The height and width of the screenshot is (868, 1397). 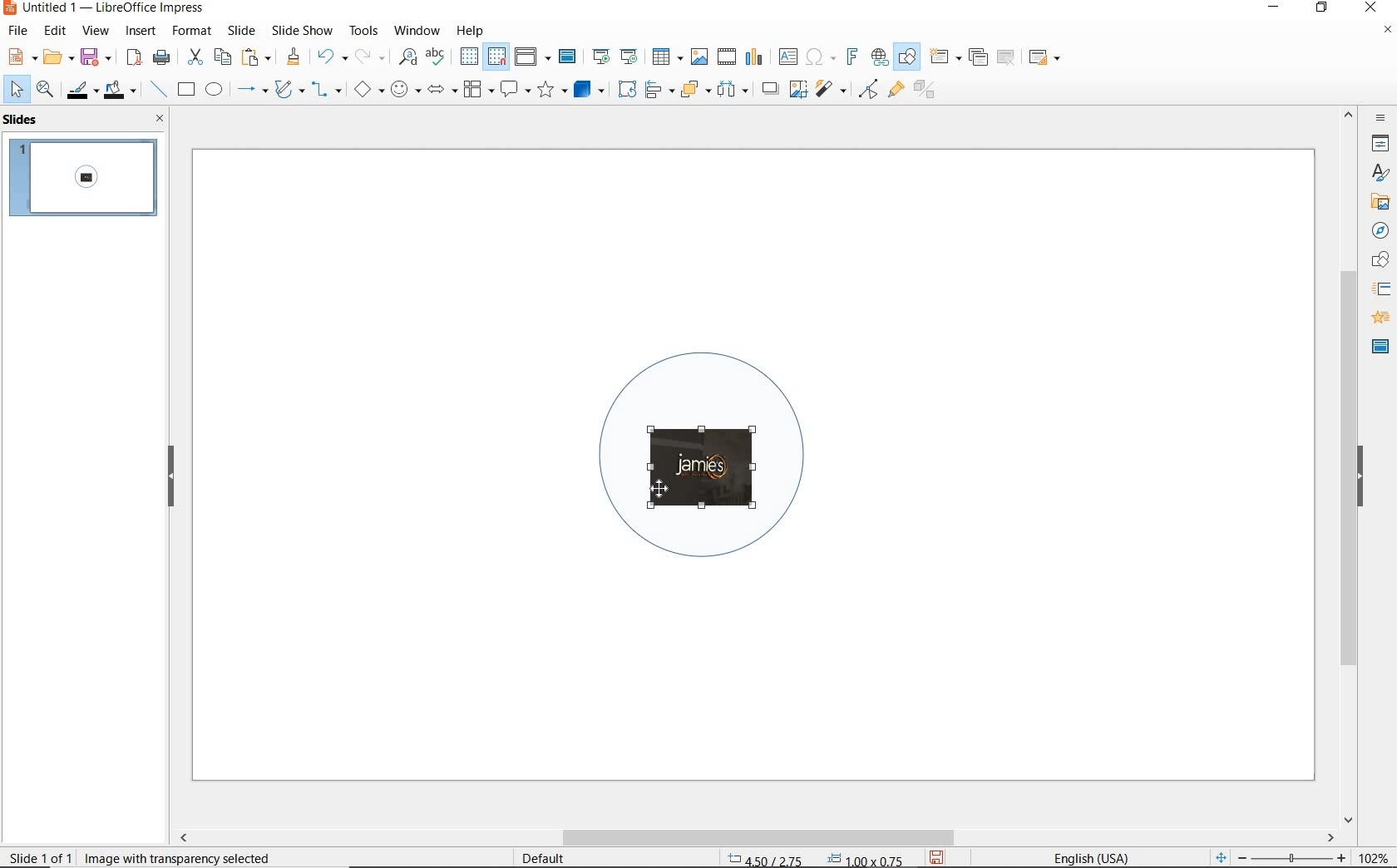 I want to click on tools, so click(x=363, y=30).